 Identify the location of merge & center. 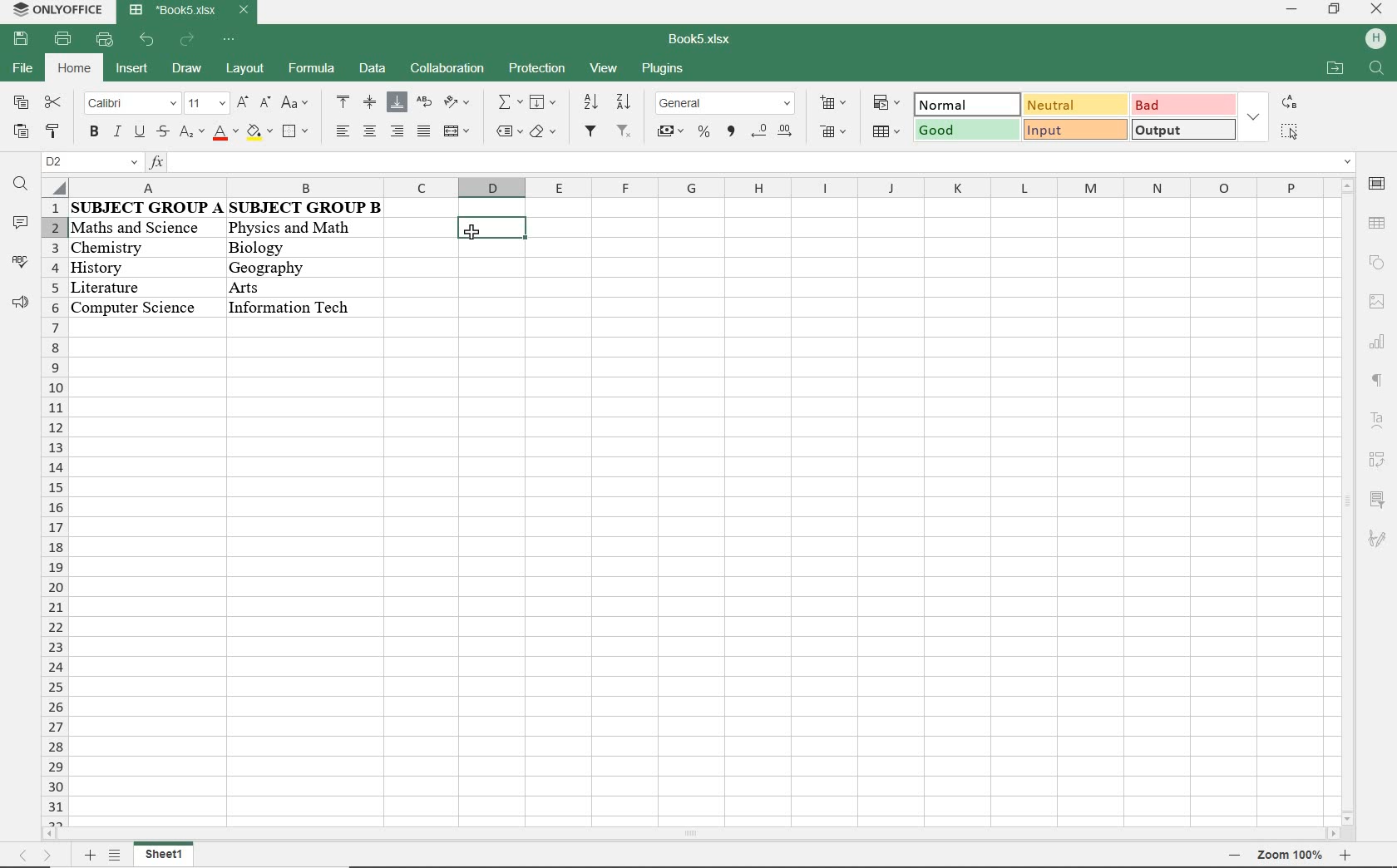
(457, 133).